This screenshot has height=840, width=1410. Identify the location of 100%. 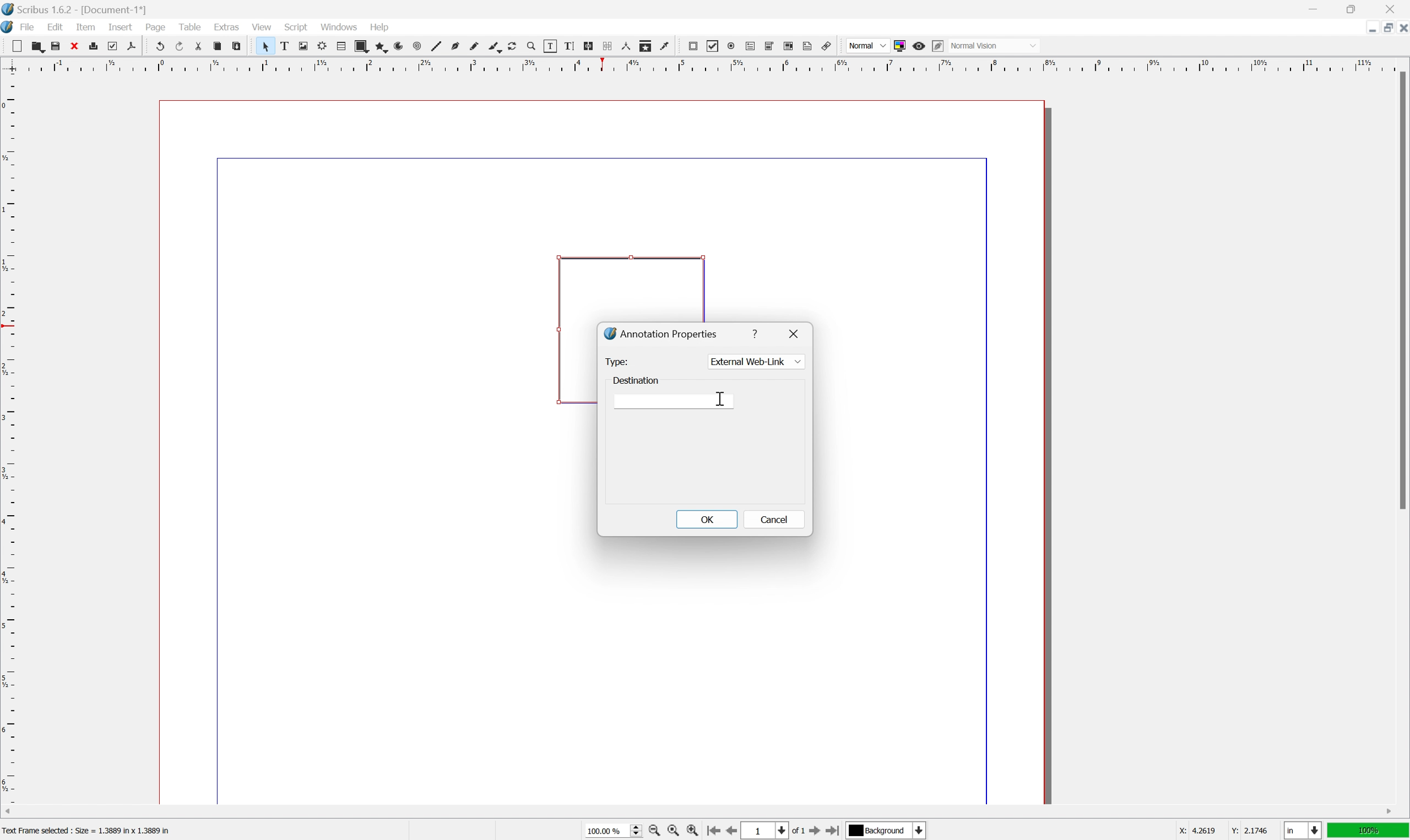
(1369, 831).